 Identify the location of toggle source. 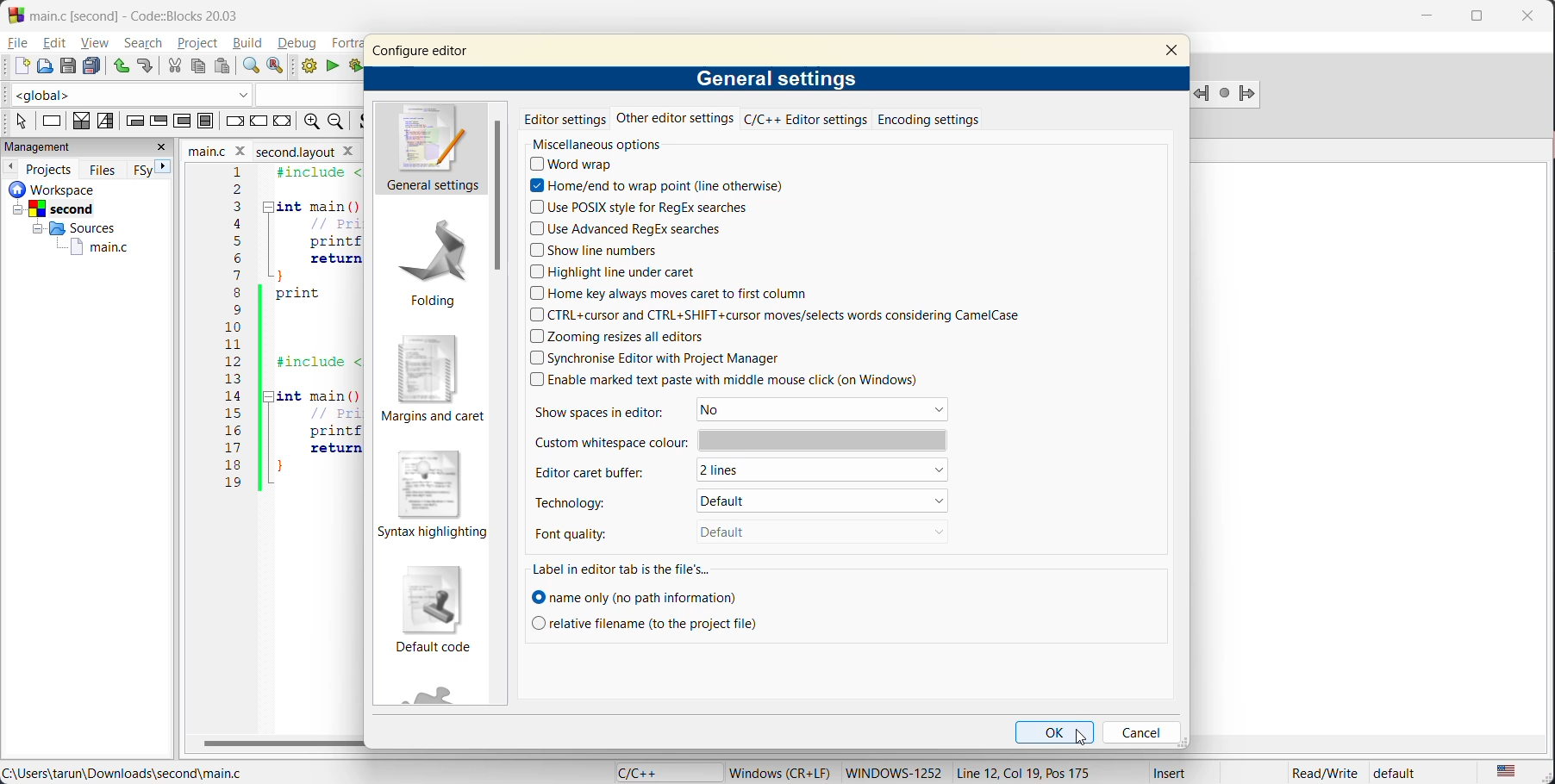
(364, 121).